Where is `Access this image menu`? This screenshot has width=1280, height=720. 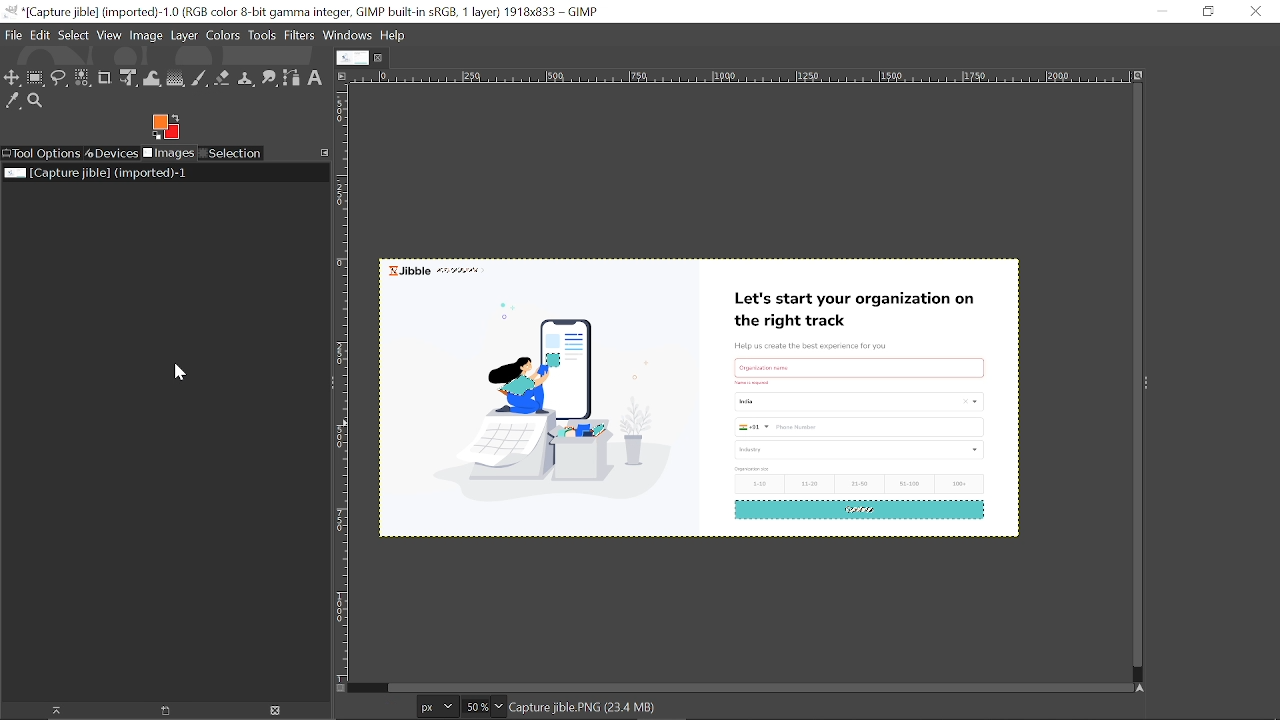
Access this image menu is located at coordinates (341, 75).